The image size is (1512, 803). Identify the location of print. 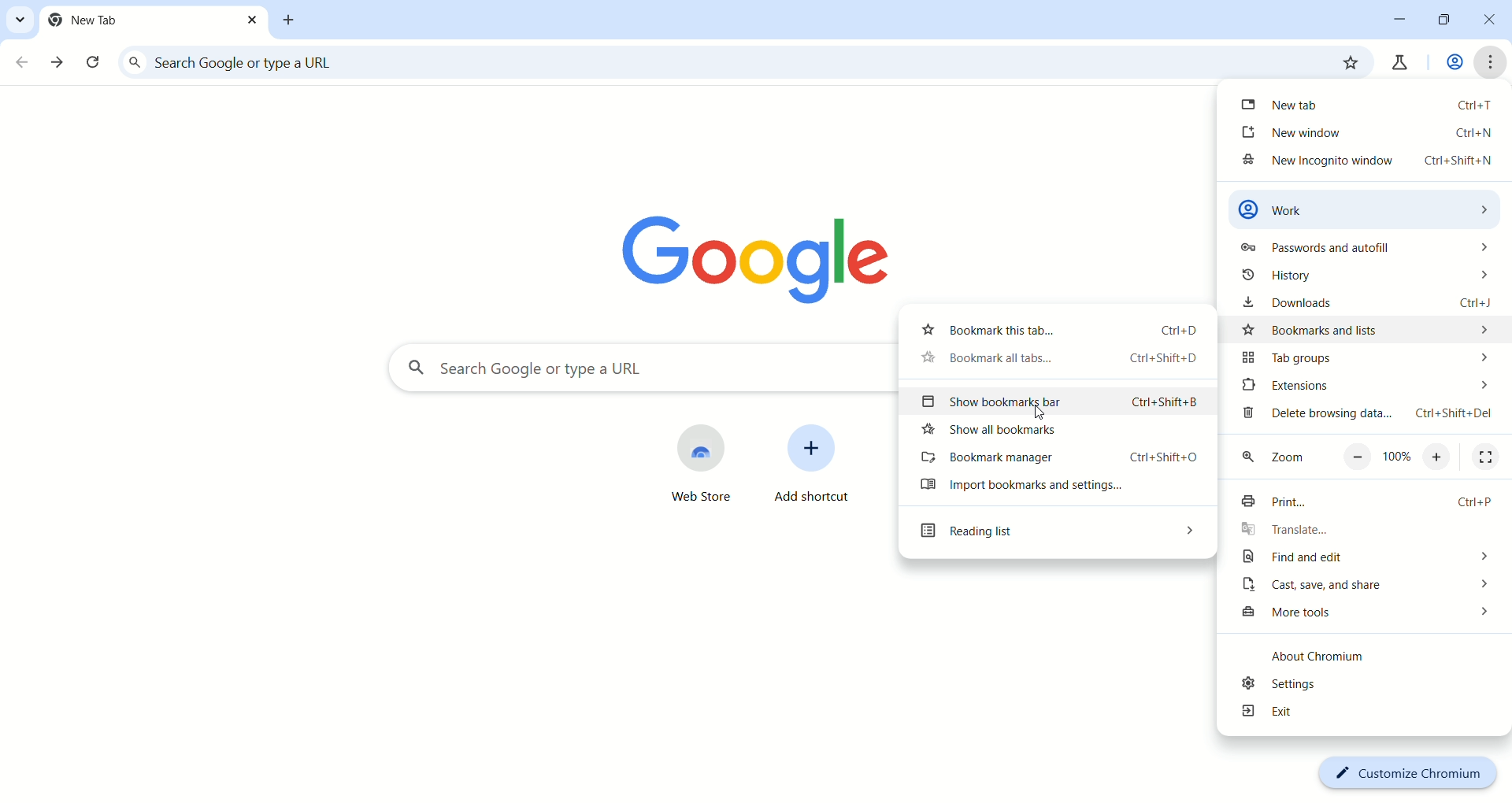
(1362, 504).